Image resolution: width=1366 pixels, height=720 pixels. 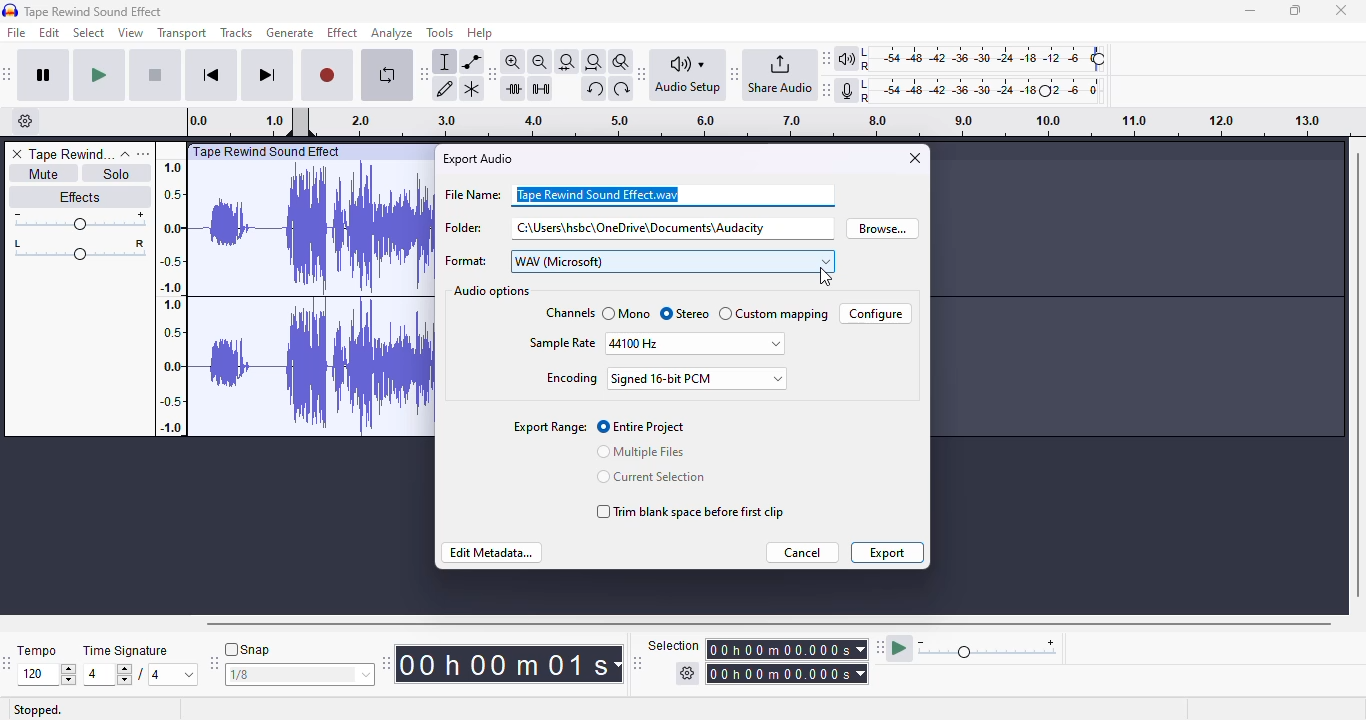 What do you see at coordinates (874, 315) in the screenshot?
I see `configure` at bounding box center [874, 315].